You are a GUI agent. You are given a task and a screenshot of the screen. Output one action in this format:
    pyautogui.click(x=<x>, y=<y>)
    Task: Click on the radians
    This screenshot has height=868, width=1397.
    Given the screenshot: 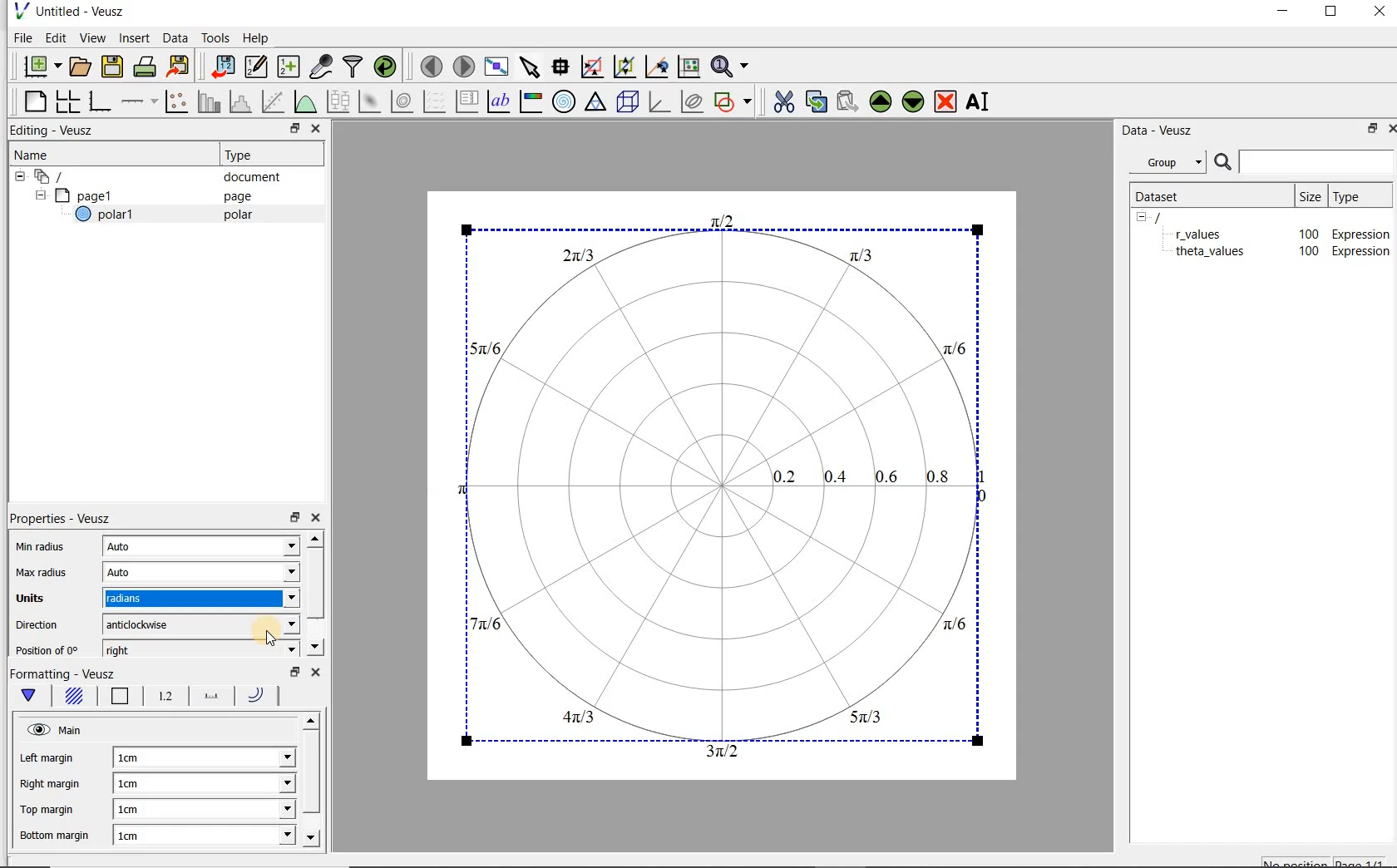 What is the action you would take?
    pyautogui.click(x=139, y=597)
    